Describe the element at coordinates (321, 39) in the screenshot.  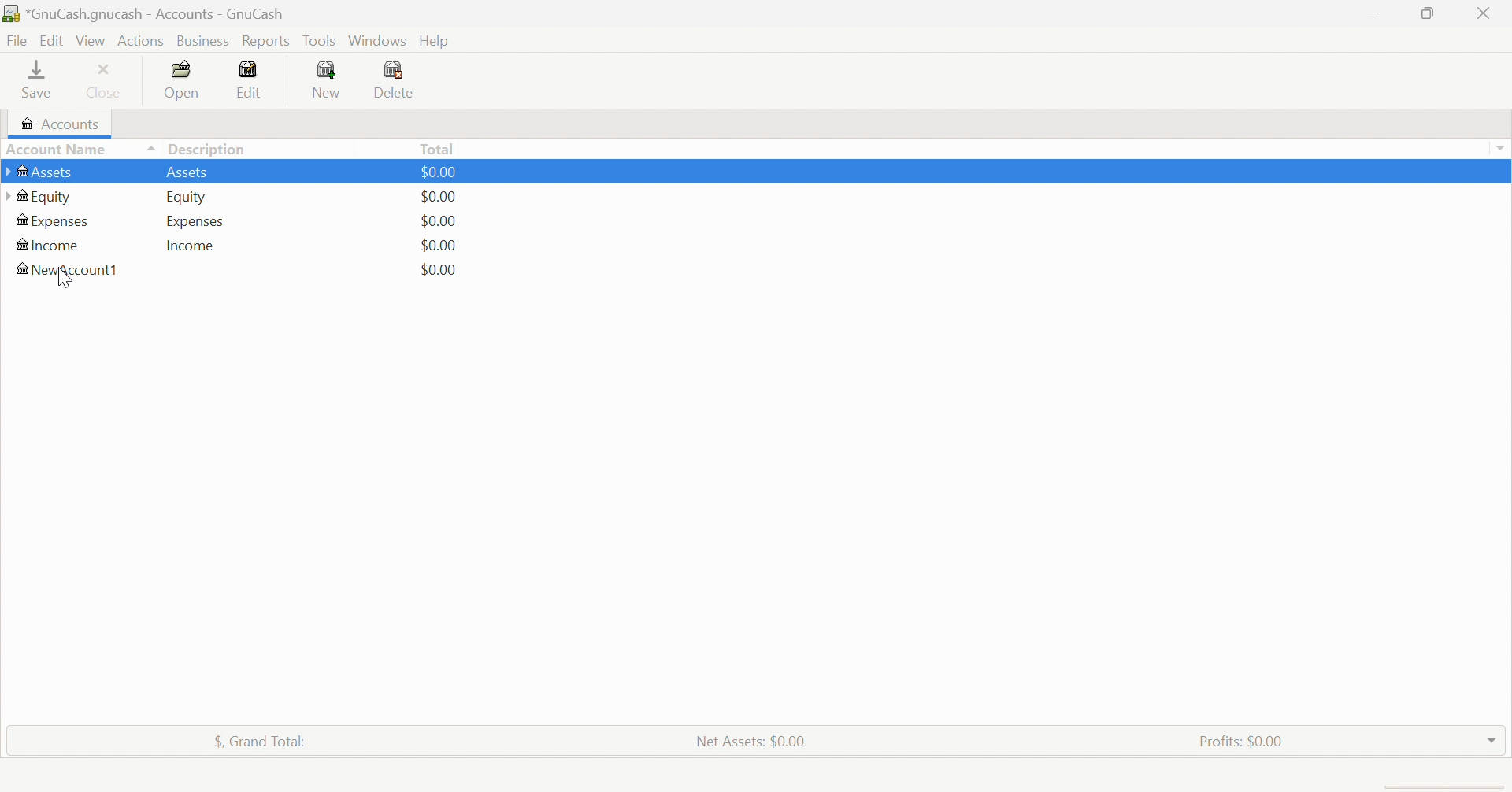
I see `Tools` at that location.